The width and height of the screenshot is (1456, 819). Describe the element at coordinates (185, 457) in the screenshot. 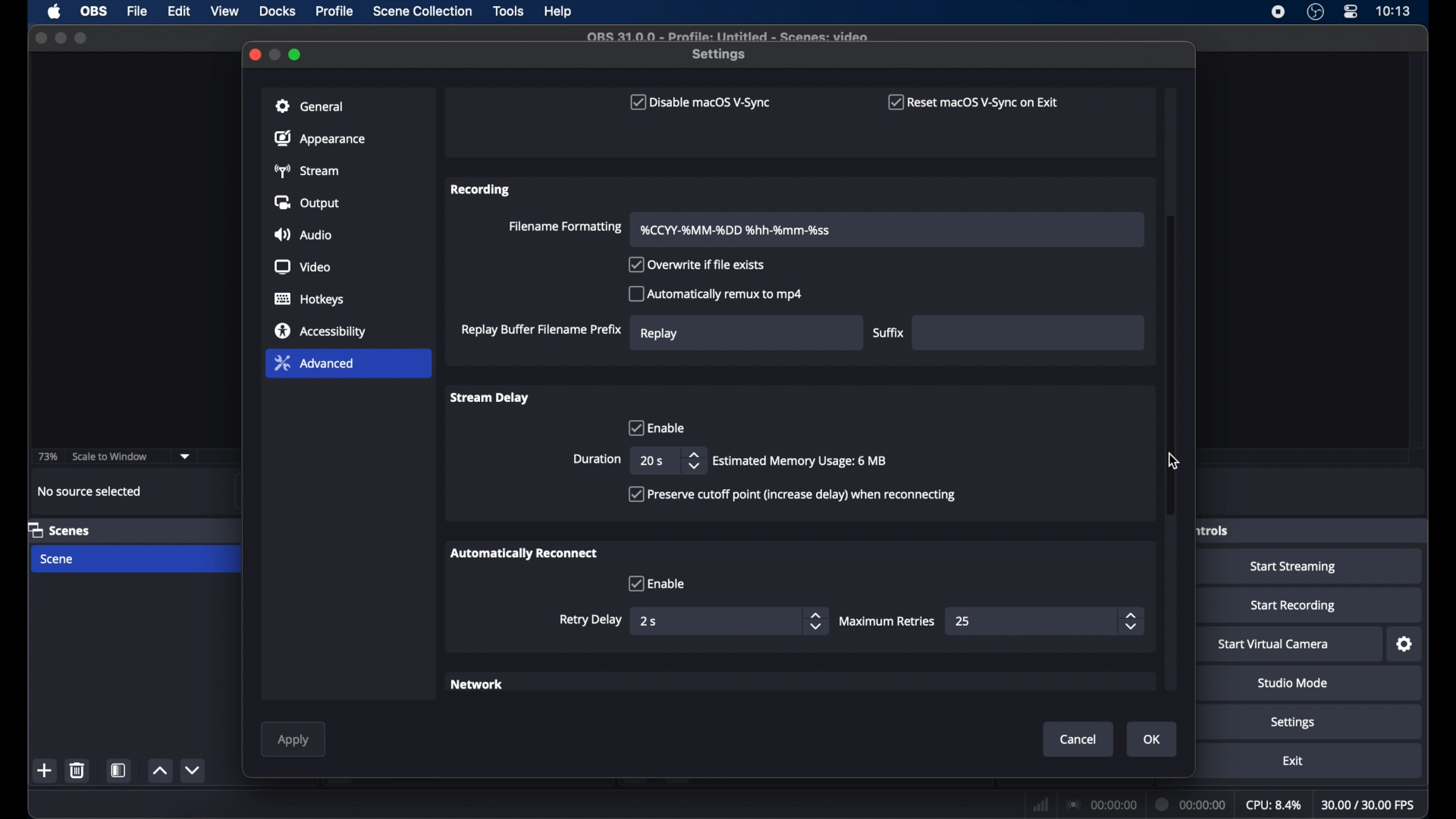

I see `dropdown` at that location.